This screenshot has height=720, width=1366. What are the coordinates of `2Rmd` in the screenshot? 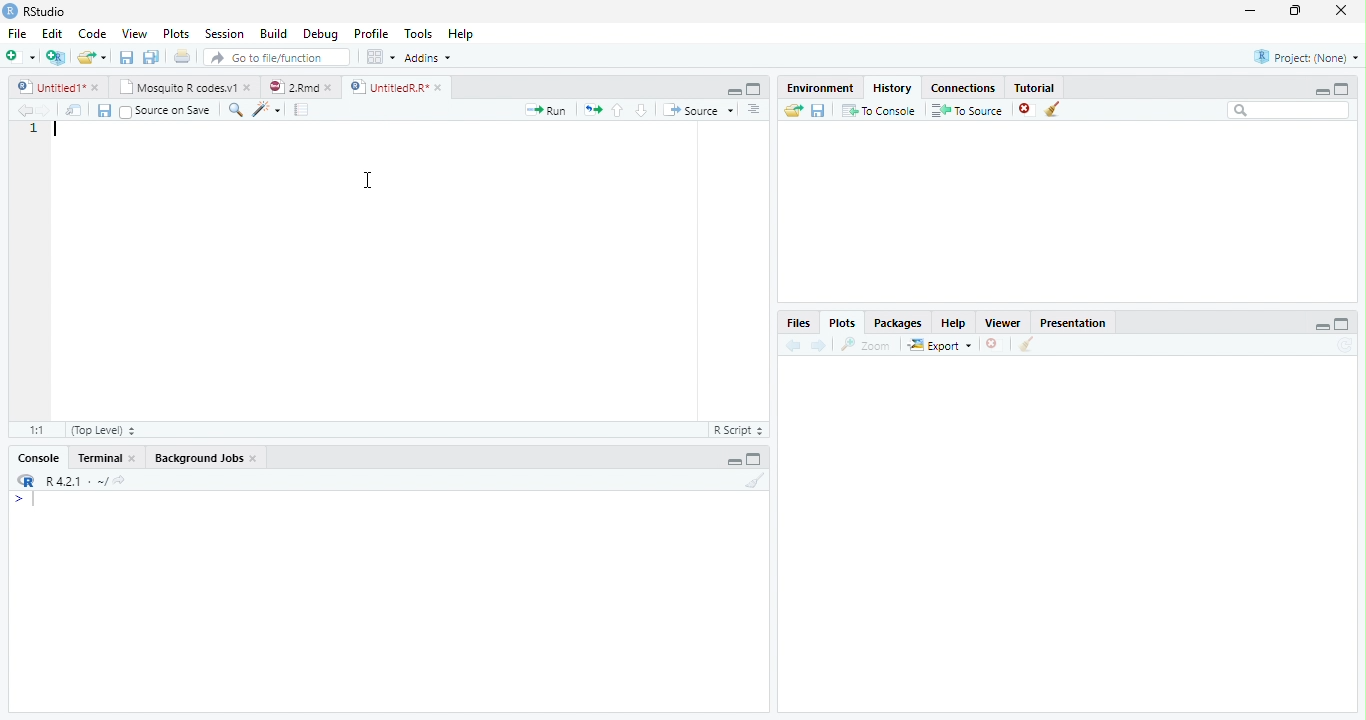 It's located at (292, 86).